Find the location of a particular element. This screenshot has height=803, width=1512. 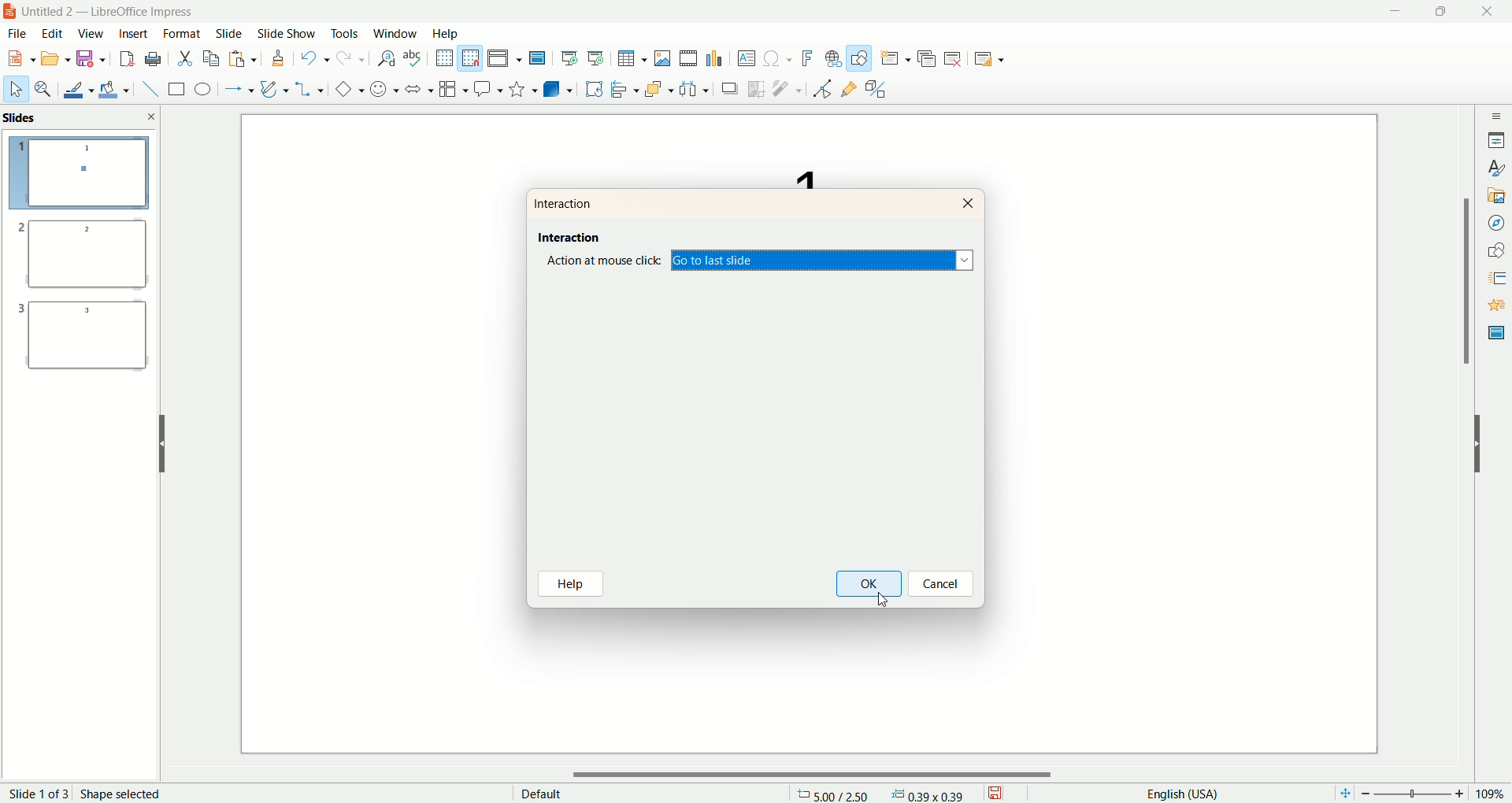

tools is located at coordinates (346, 37).